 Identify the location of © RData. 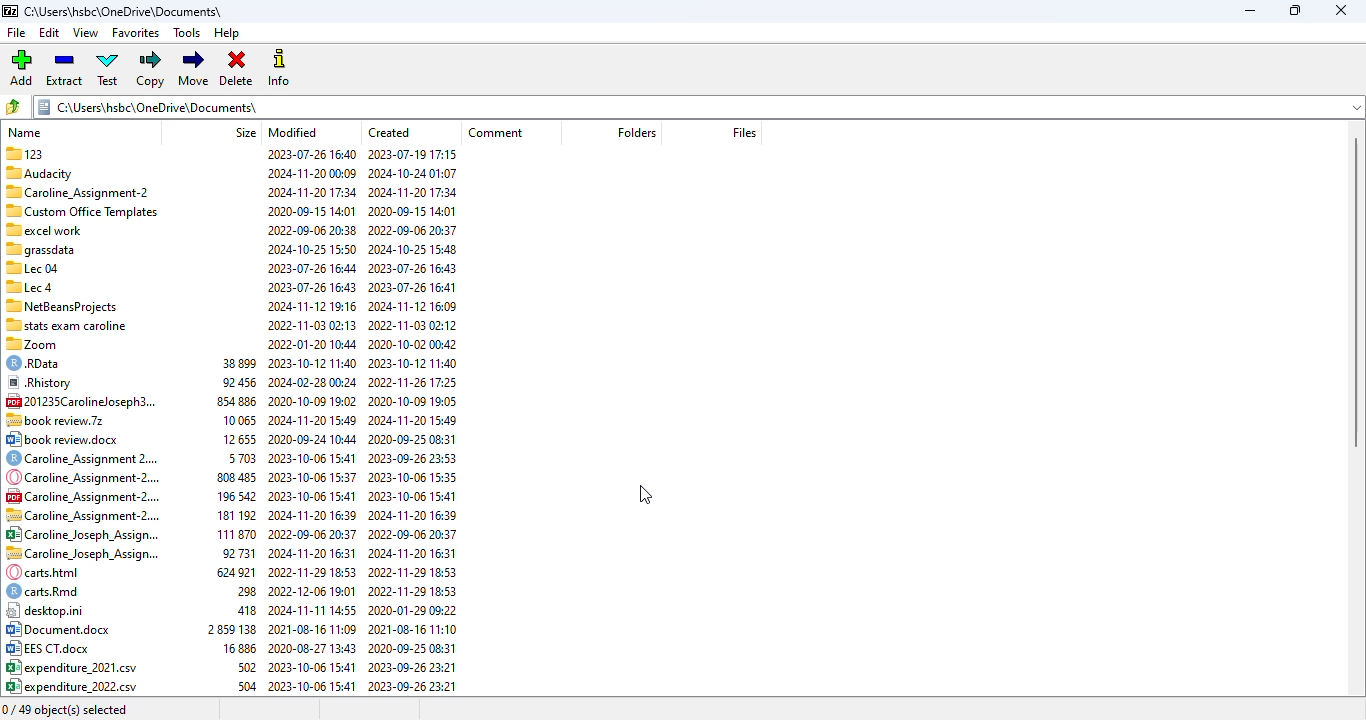
(40, 362).